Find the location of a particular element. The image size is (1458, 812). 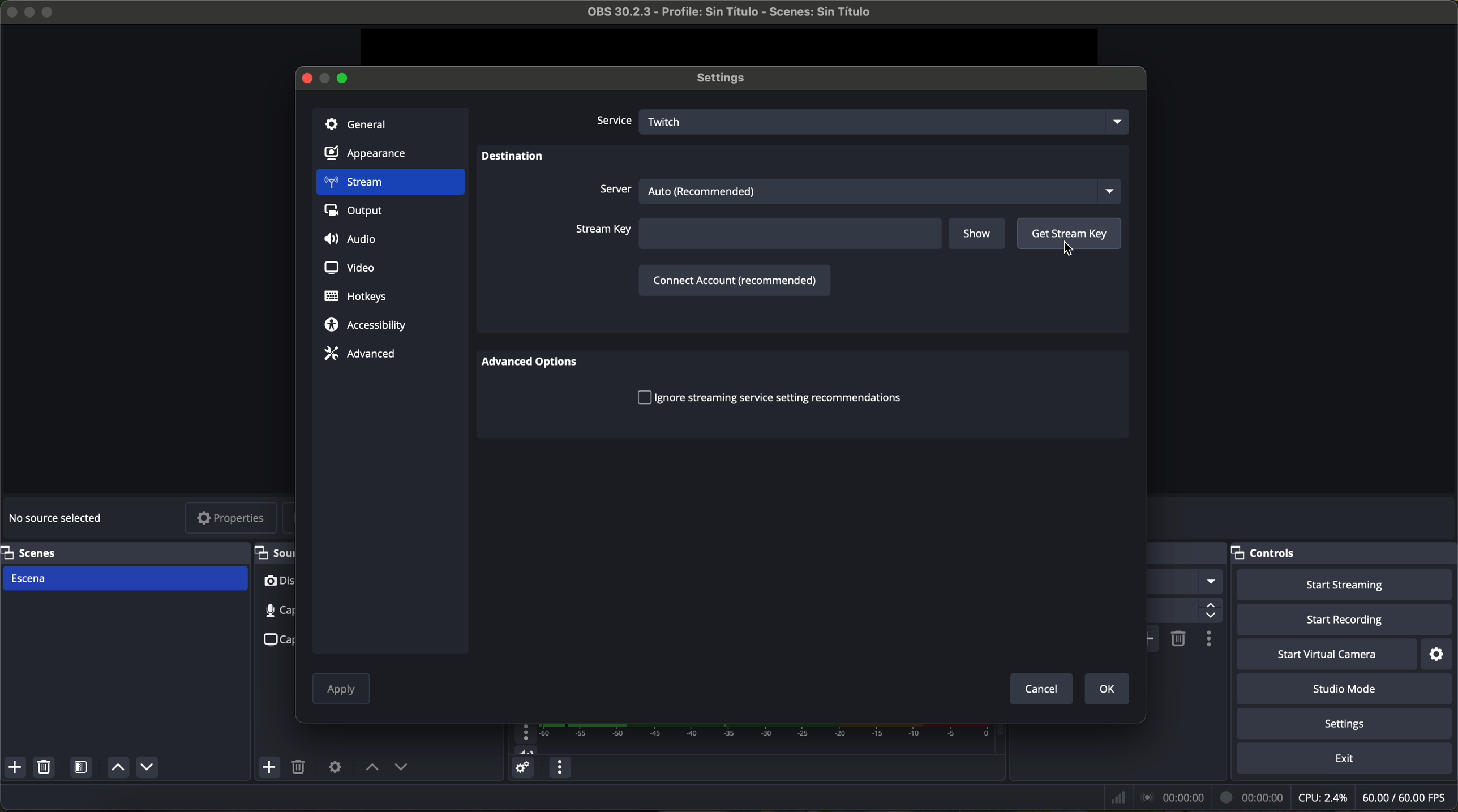

server options is located at coordinates (857, 189).